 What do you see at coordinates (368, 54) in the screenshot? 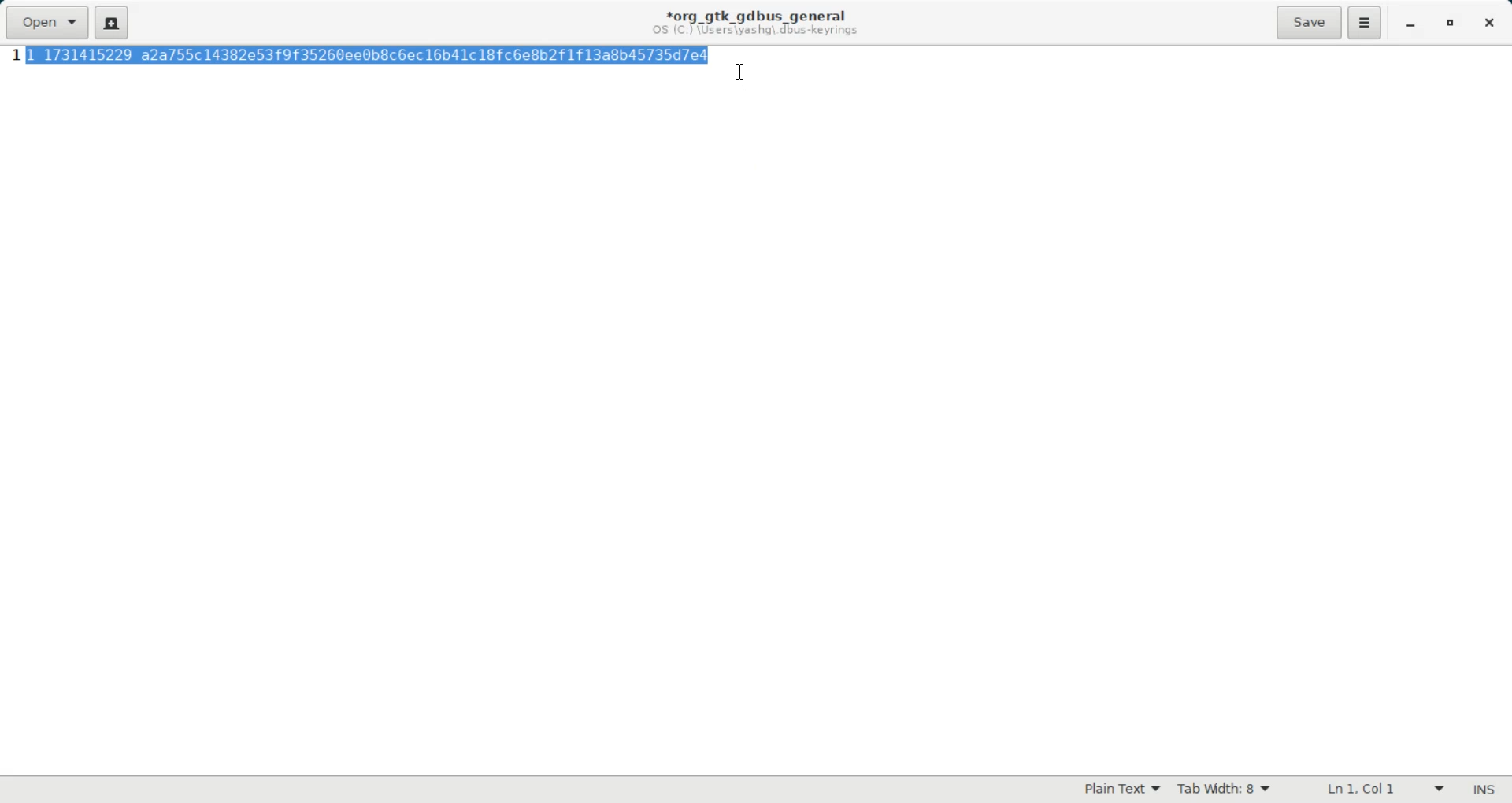
I see `highlighted text` at bounding box center [368, 54].